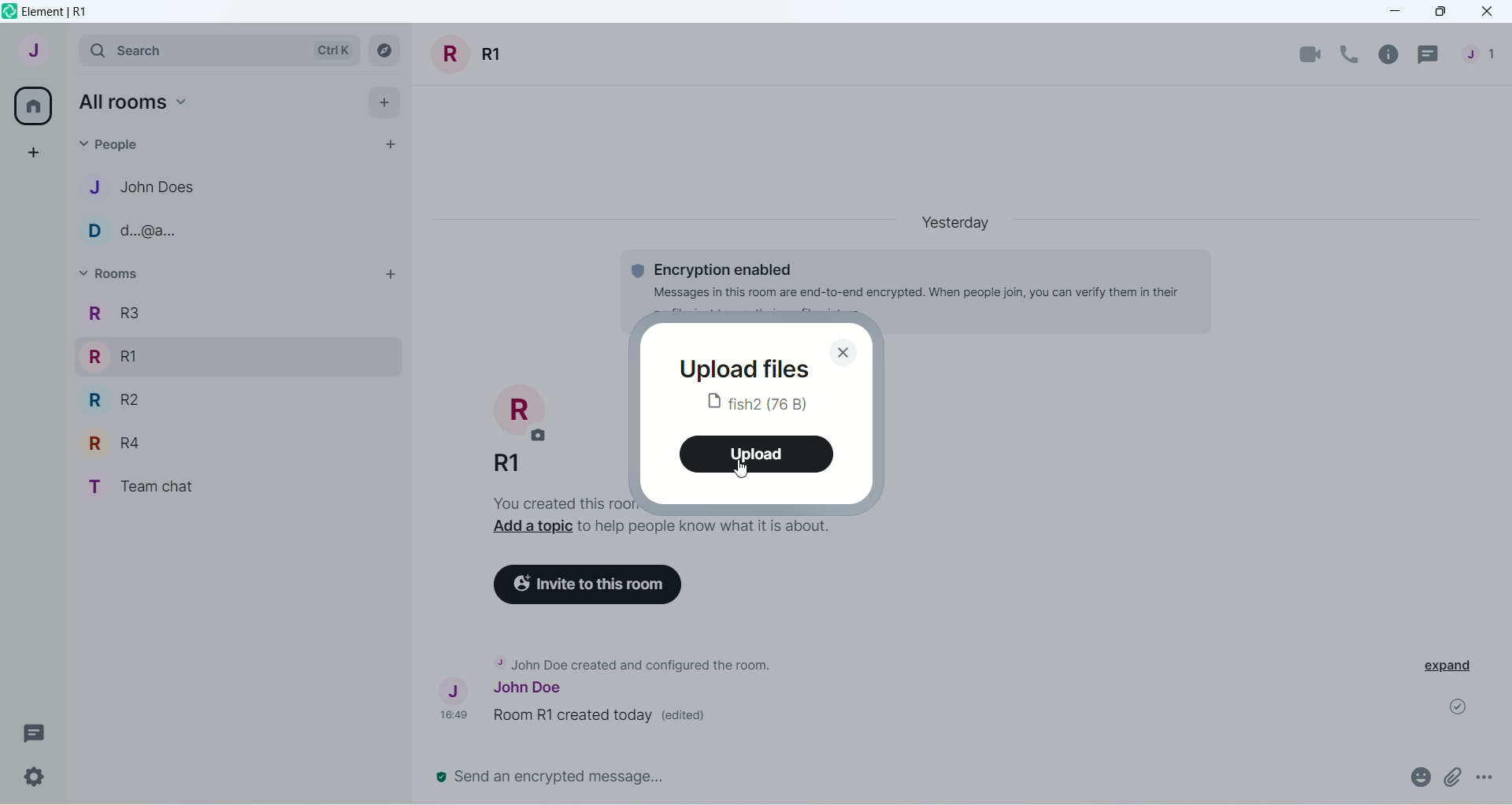  I want to click on close, so click(1488, 13).